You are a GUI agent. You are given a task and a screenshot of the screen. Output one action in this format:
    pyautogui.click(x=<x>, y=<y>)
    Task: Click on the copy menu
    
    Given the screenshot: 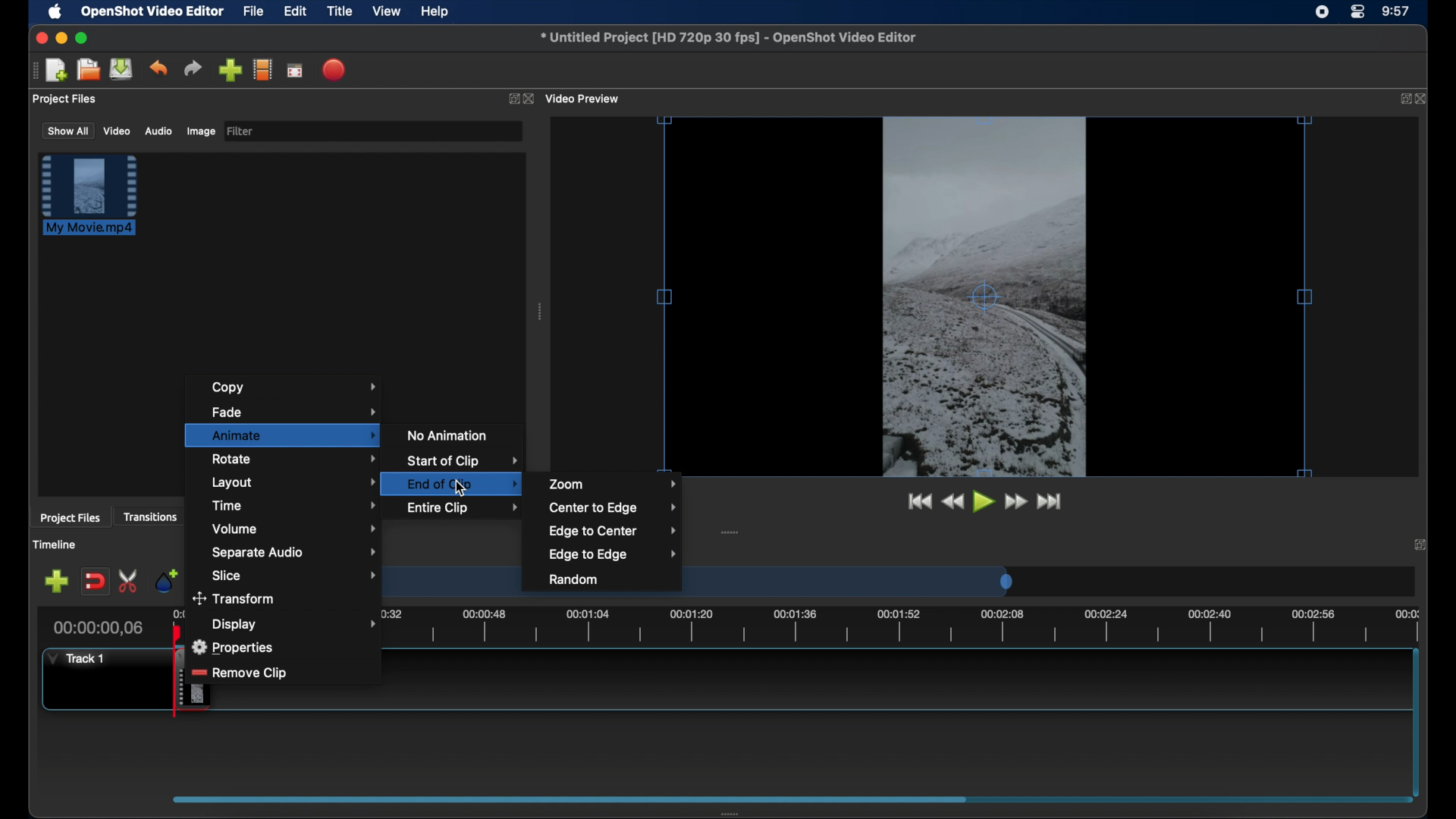 What is the action you would take?
    pyautogui.click(x=294, y=387)
    